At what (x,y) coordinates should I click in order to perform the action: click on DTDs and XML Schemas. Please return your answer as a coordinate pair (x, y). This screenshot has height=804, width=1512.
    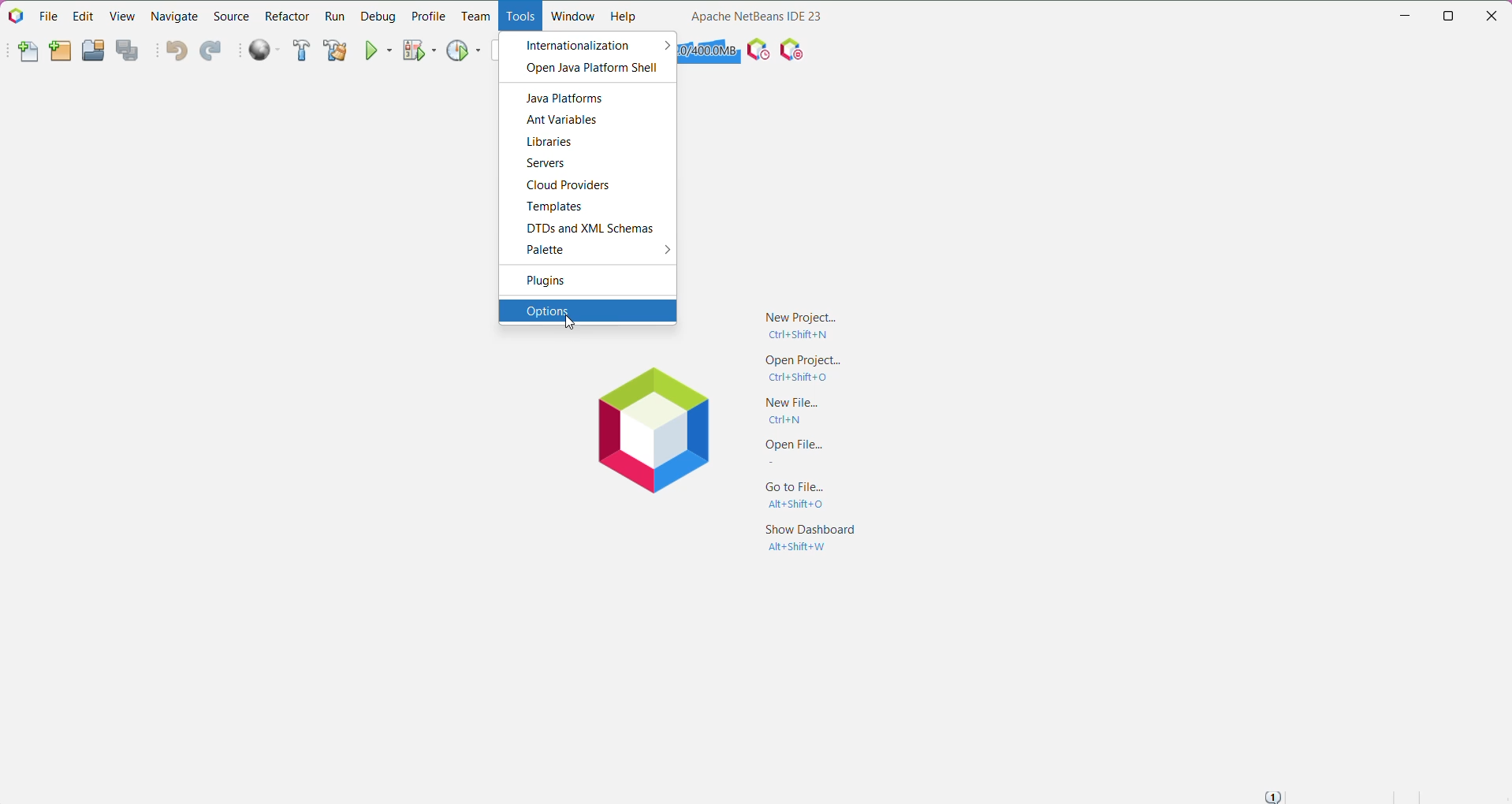
    Looking at the image, I should click on (596, 229).